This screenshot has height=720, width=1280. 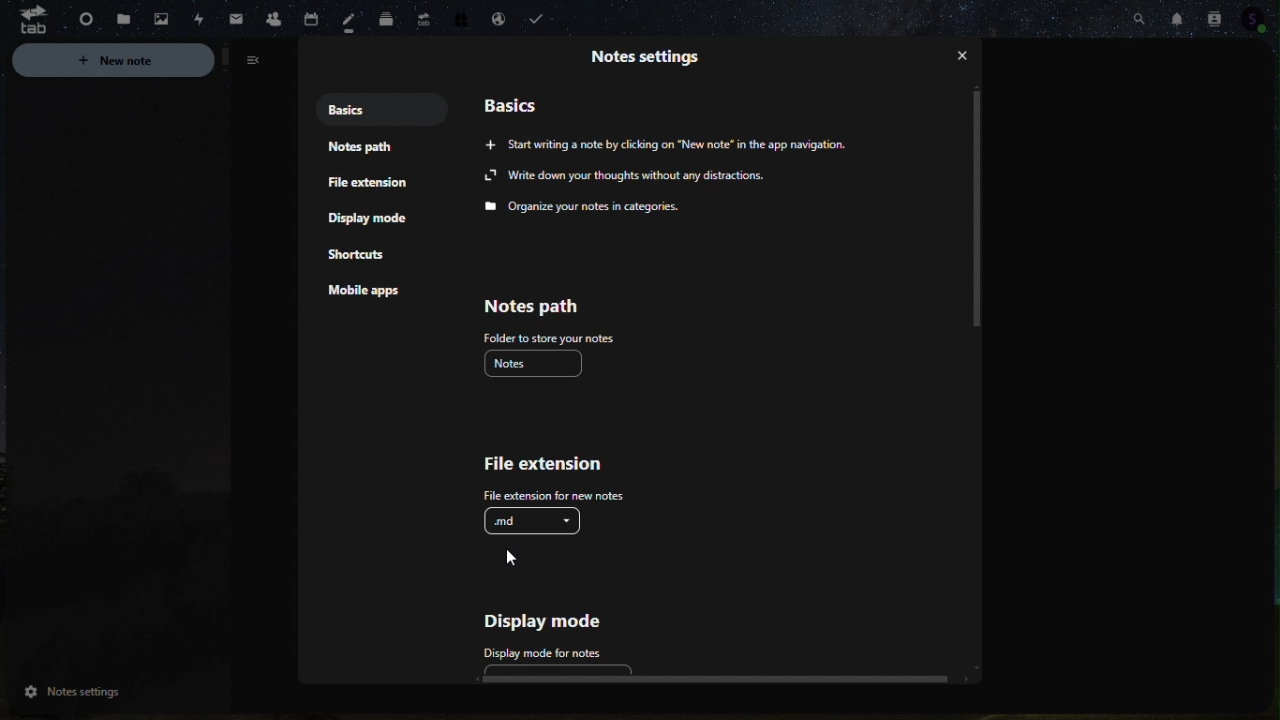 I want to click on Note path, so click(x=548, y=305).